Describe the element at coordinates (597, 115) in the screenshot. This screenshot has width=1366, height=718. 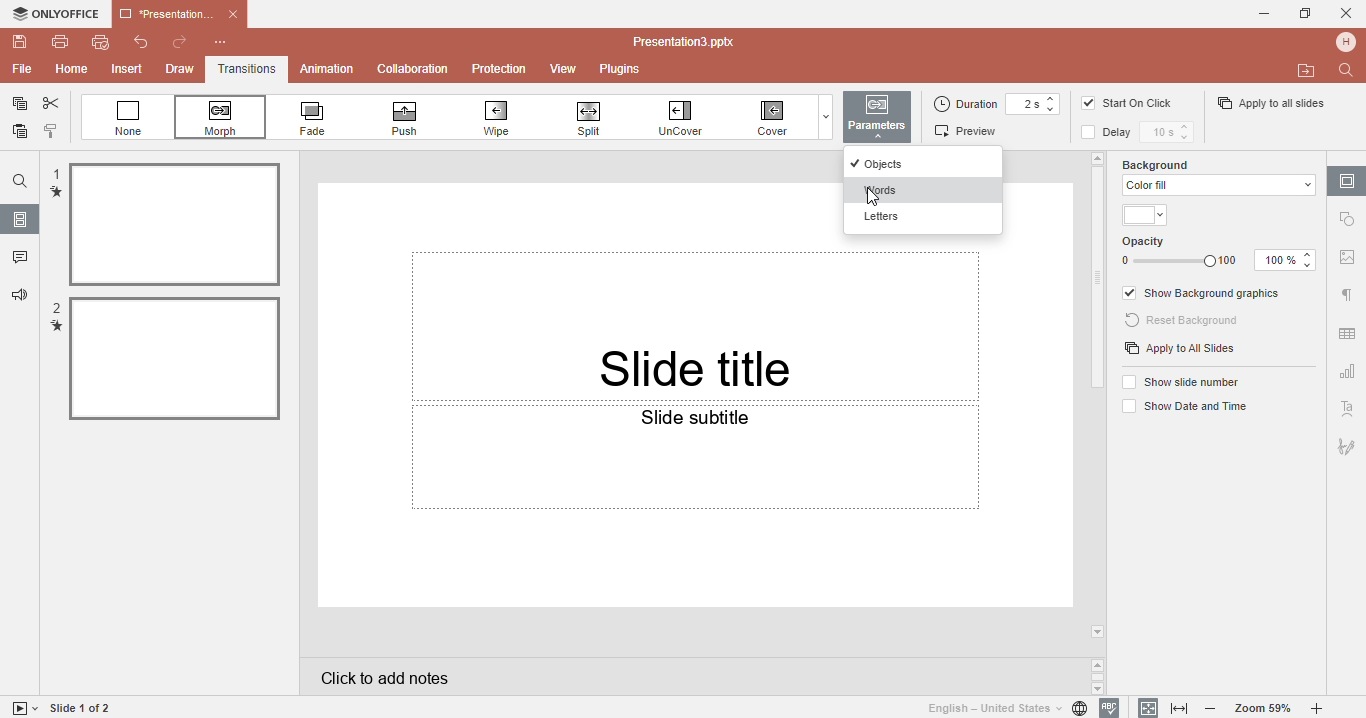
I see `Spill` at that location.